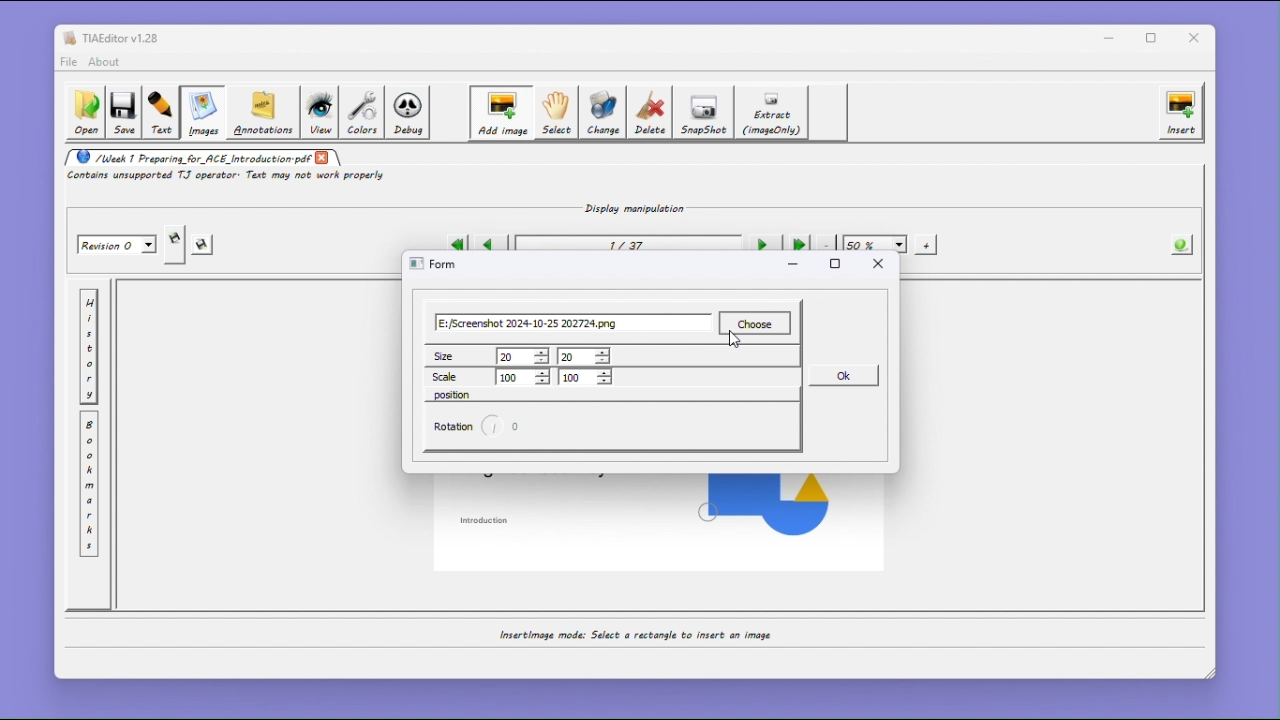 This screenshot has width=1280, height=720. I want to click on form, so click(433, 263).